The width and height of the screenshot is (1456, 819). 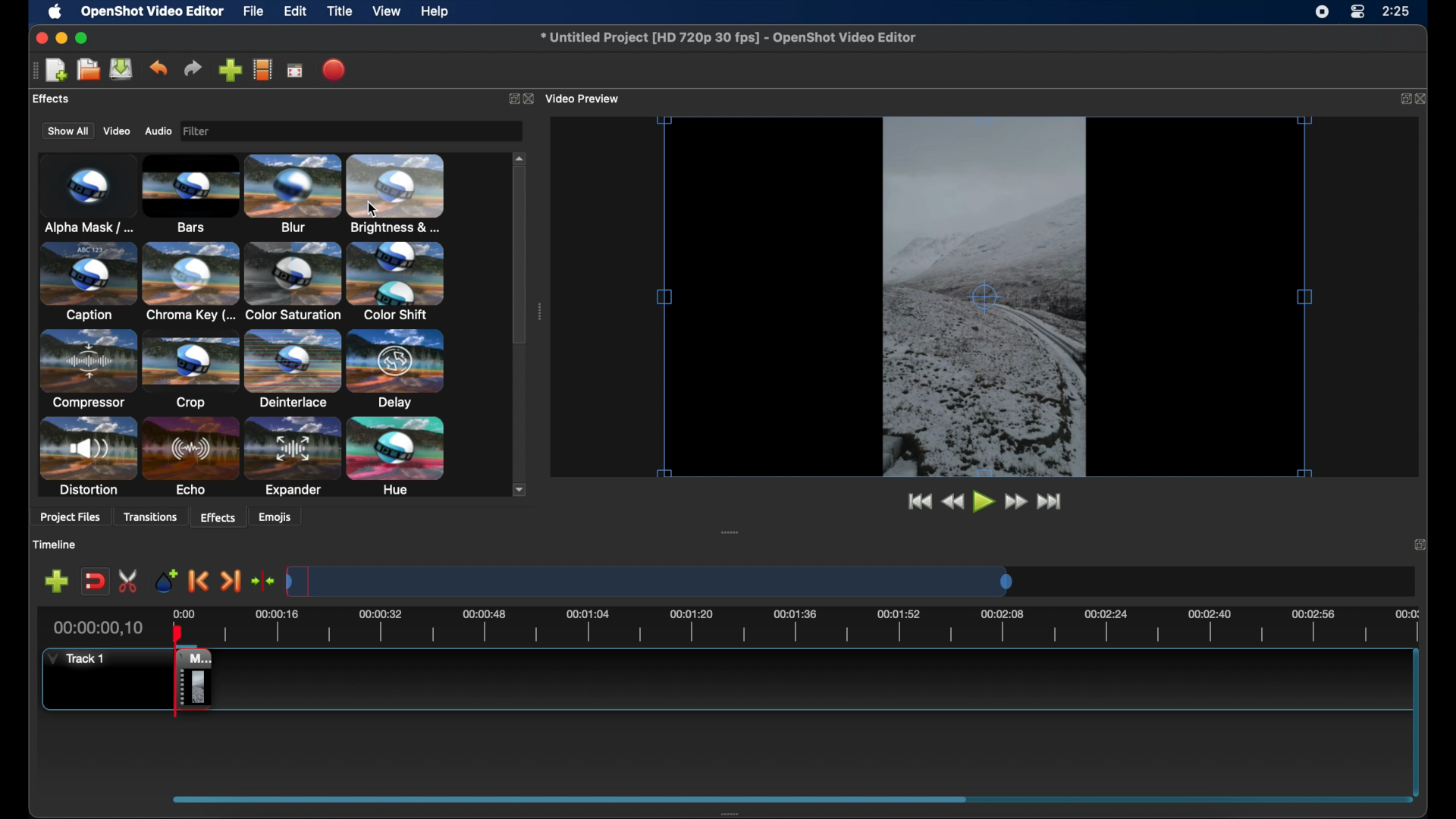 What do you see at coordinates (158, 68) in the screenshot?
I see `undo` at bounding box center [158, 68].